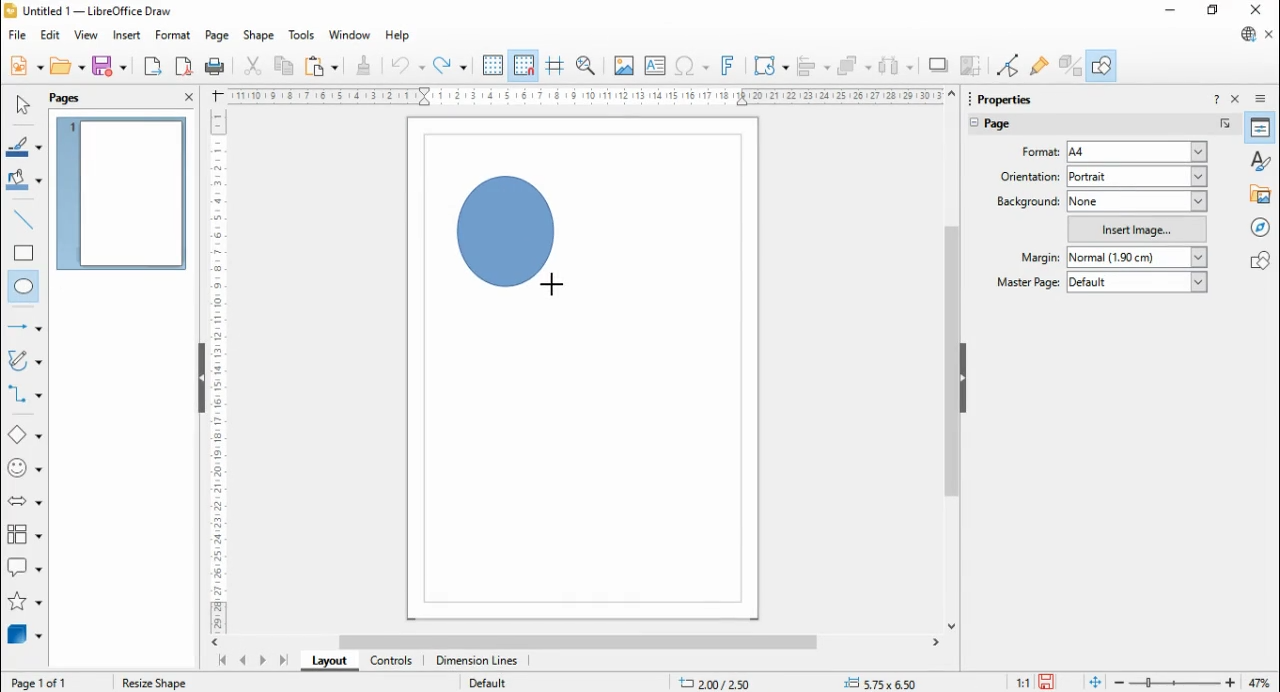 Image resolution: width=1280 pixels, height=692 pixels. I want to click on Resize shape, so click(154, 680).